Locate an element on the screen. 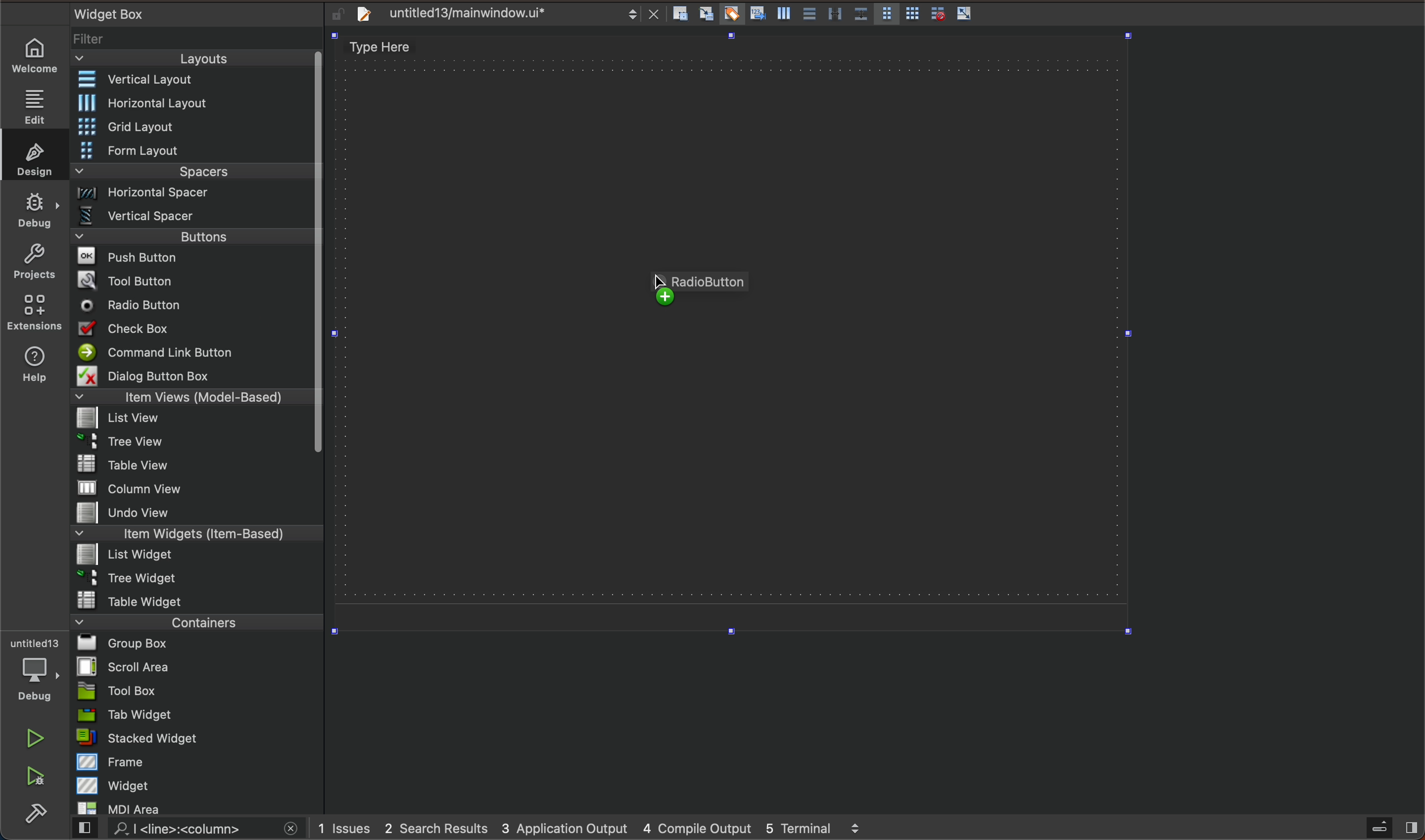 The width and height of the screenshot is (1425, 840). logs is located at coordinates (607, 828).